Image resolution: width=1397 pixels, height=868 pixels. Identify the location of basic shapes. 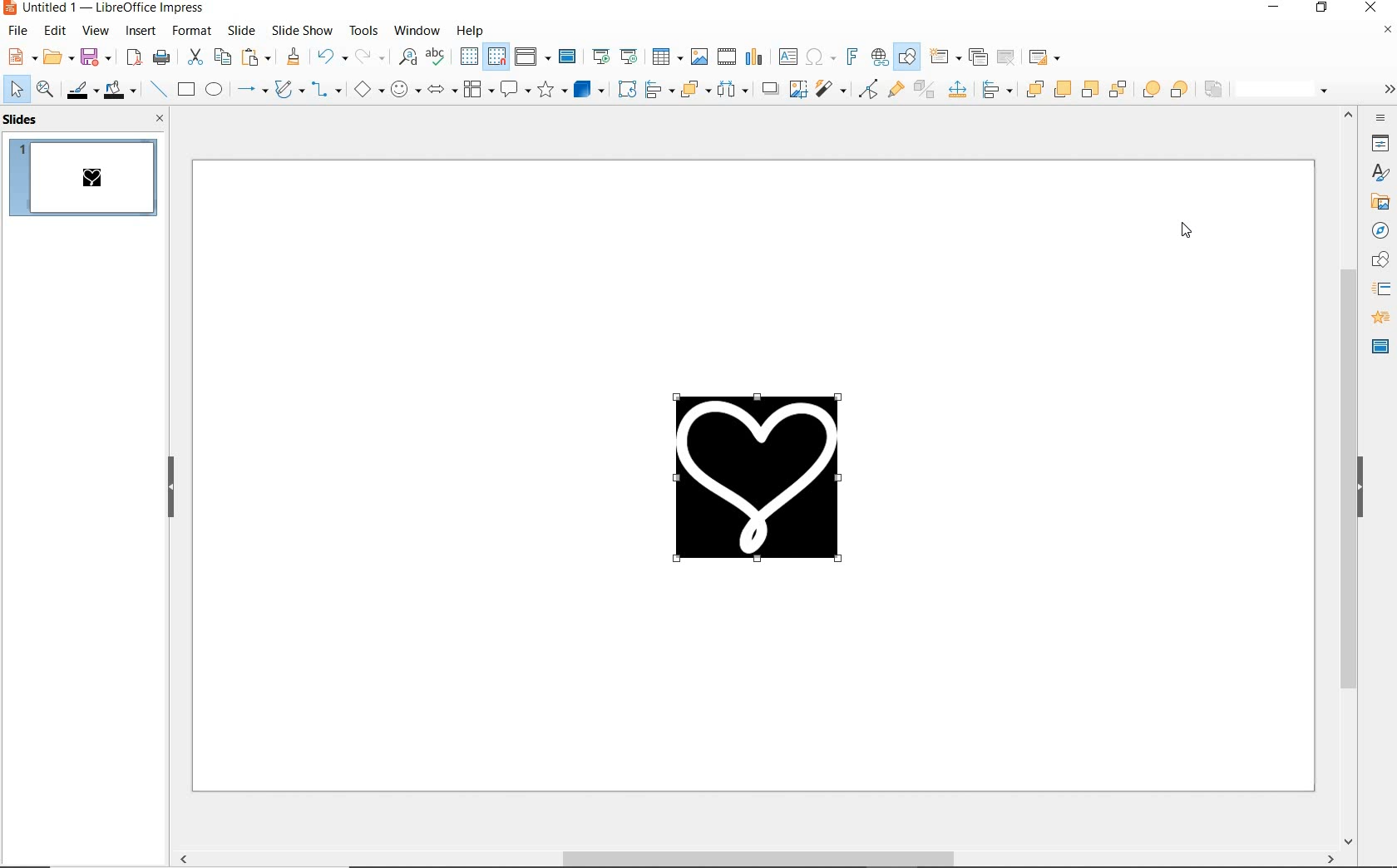
(367, 91).